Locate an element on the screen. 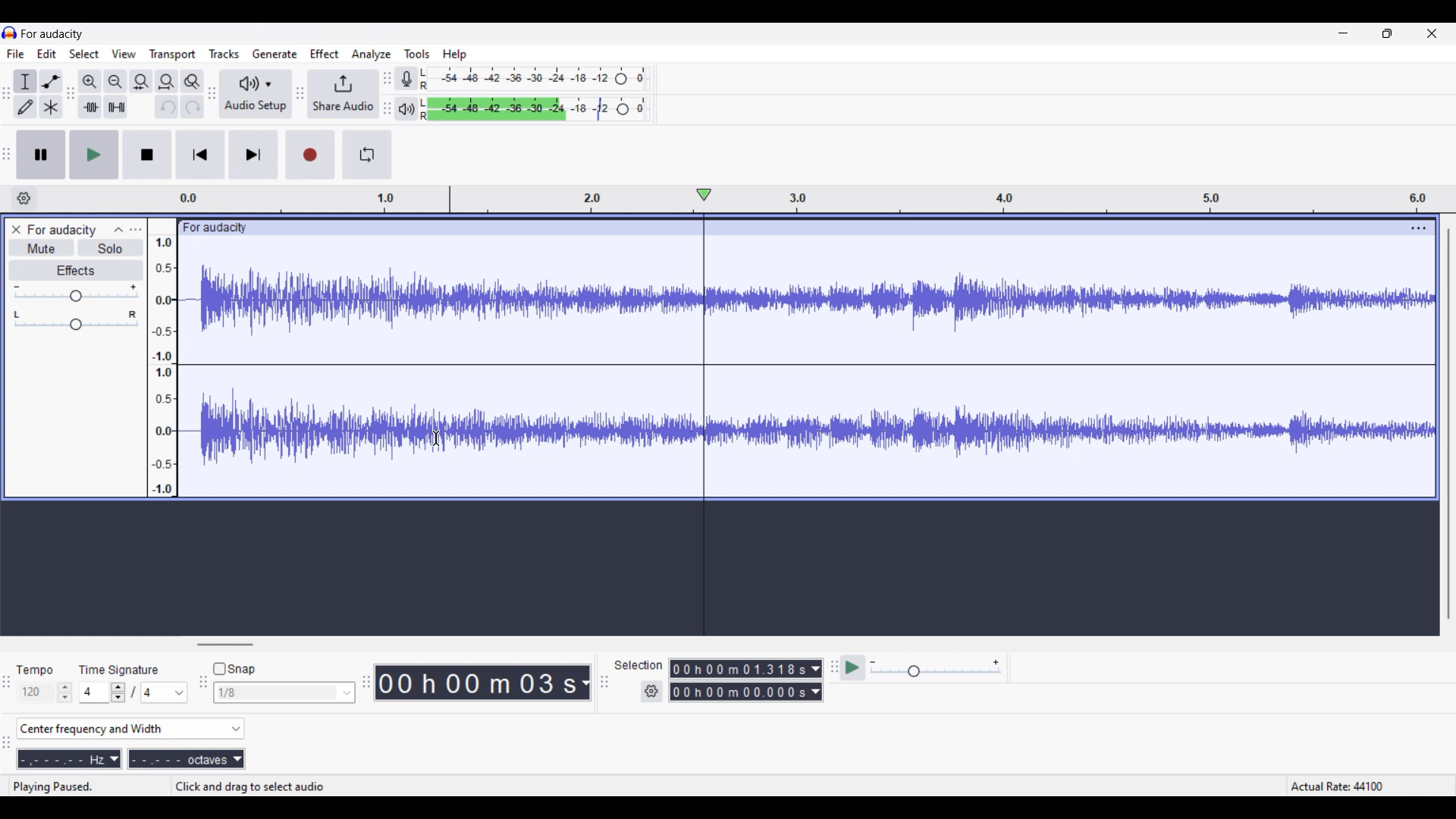  Recording level is located at coordinates (535, 79).